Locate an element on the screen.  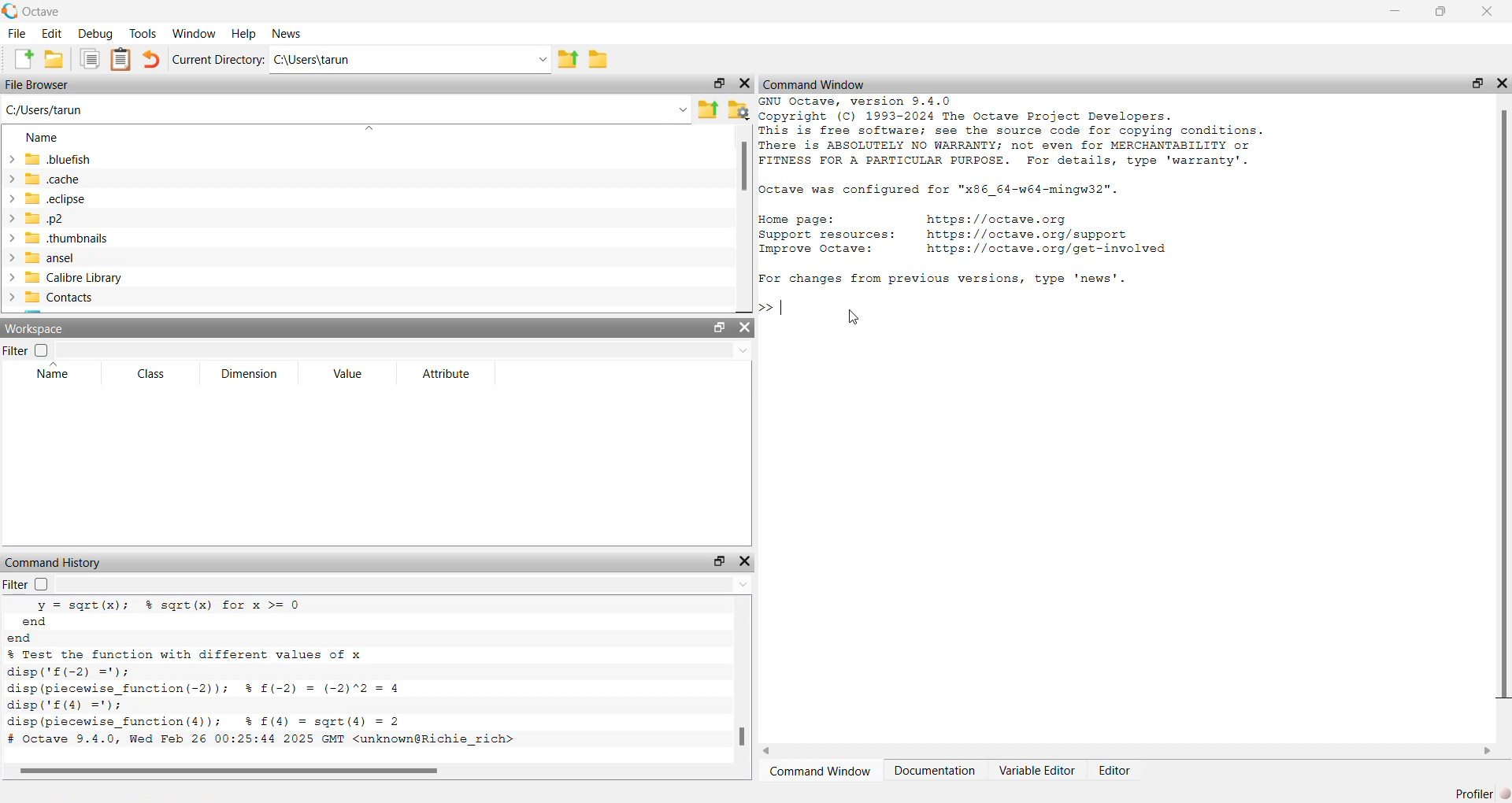
Command window is located at coordinates (823, 772).